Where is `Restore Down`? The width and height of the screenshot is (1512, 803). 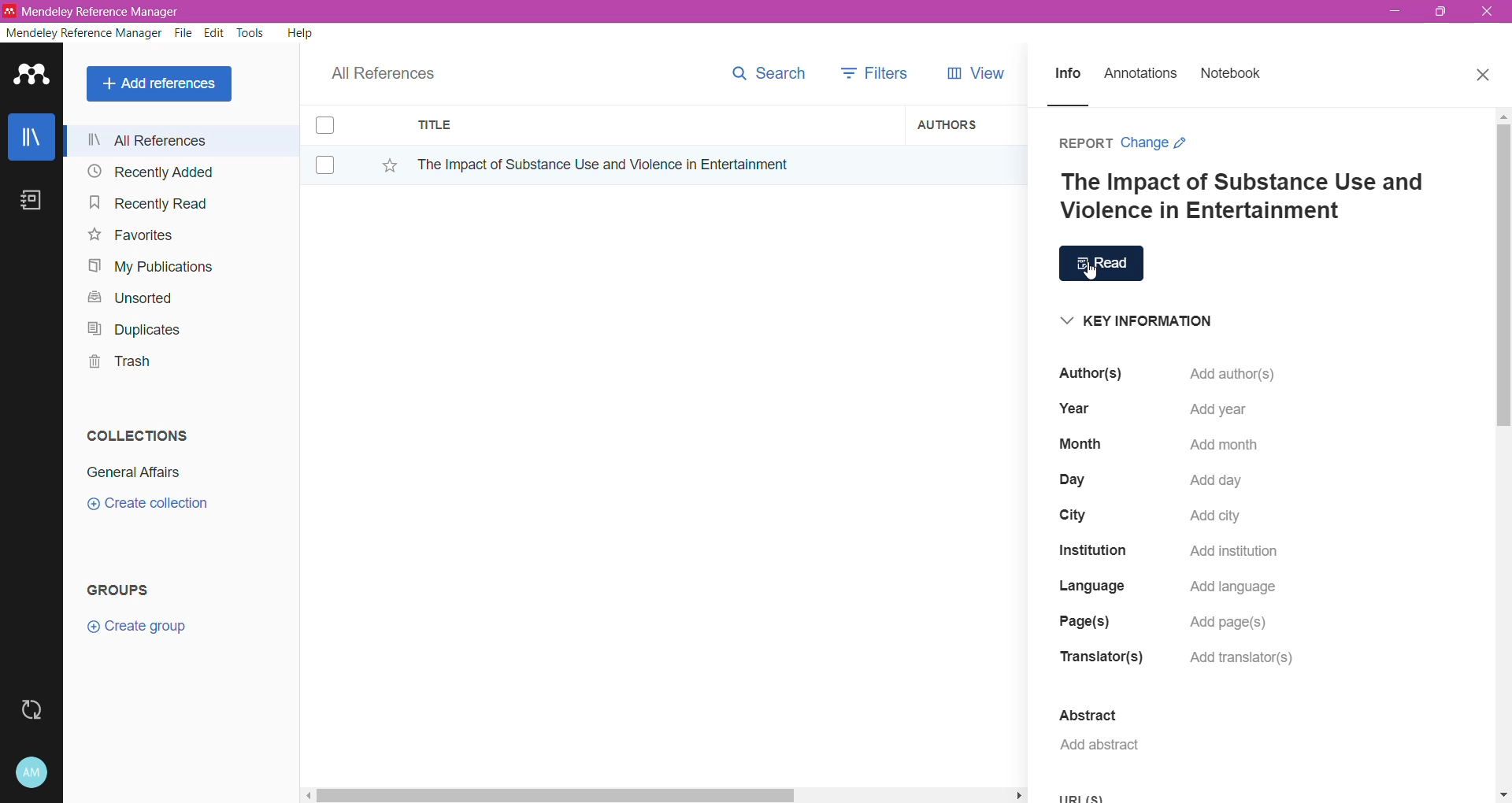
Restore Down is located at coordinates (1441, 11).